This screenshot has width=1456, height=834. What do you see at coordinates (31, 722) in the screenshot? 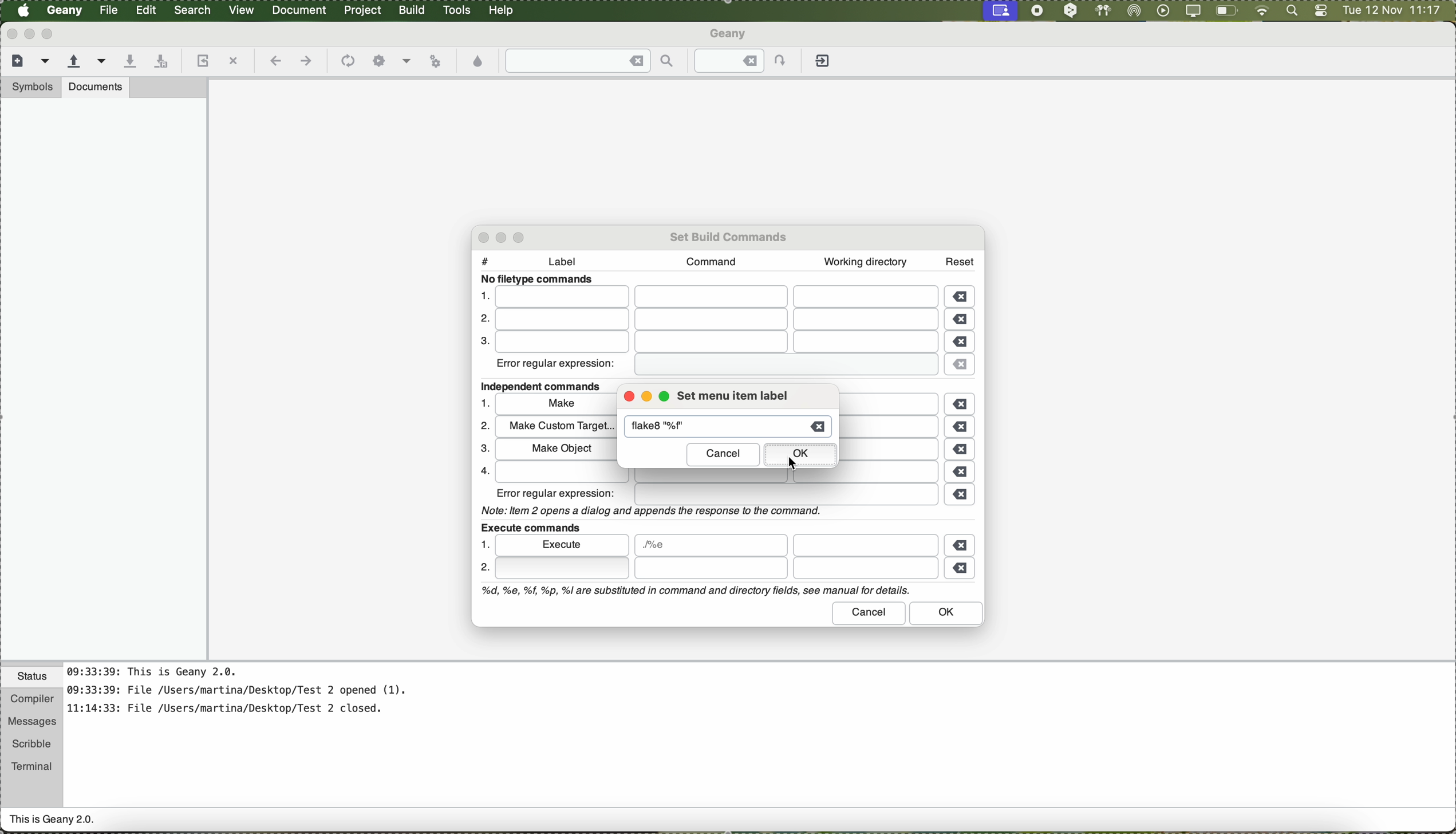
I see `messages` at bounding box center [31, 722].